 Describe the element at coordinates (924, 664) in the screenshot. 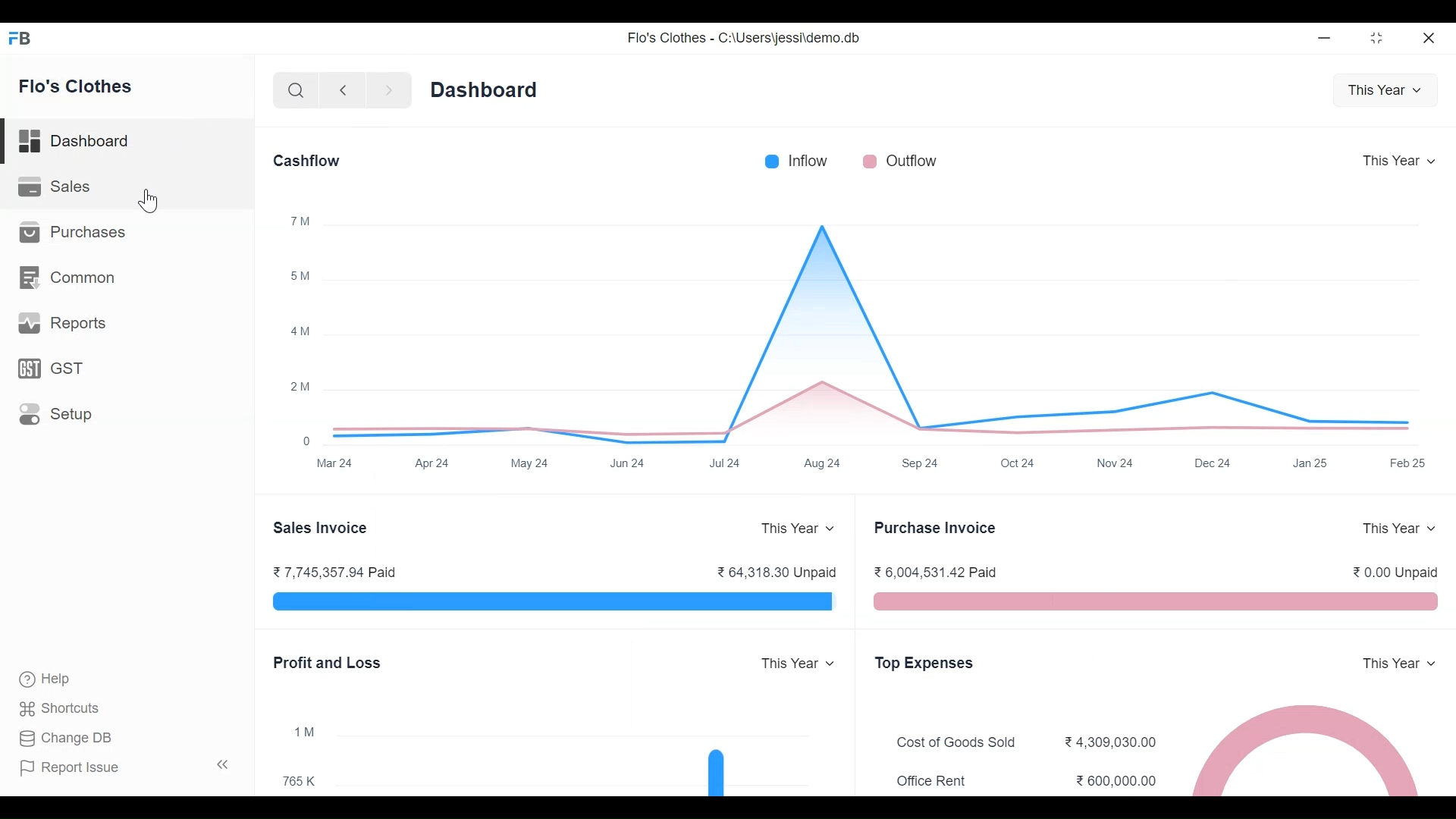

I see `Top Expenses` at that location.